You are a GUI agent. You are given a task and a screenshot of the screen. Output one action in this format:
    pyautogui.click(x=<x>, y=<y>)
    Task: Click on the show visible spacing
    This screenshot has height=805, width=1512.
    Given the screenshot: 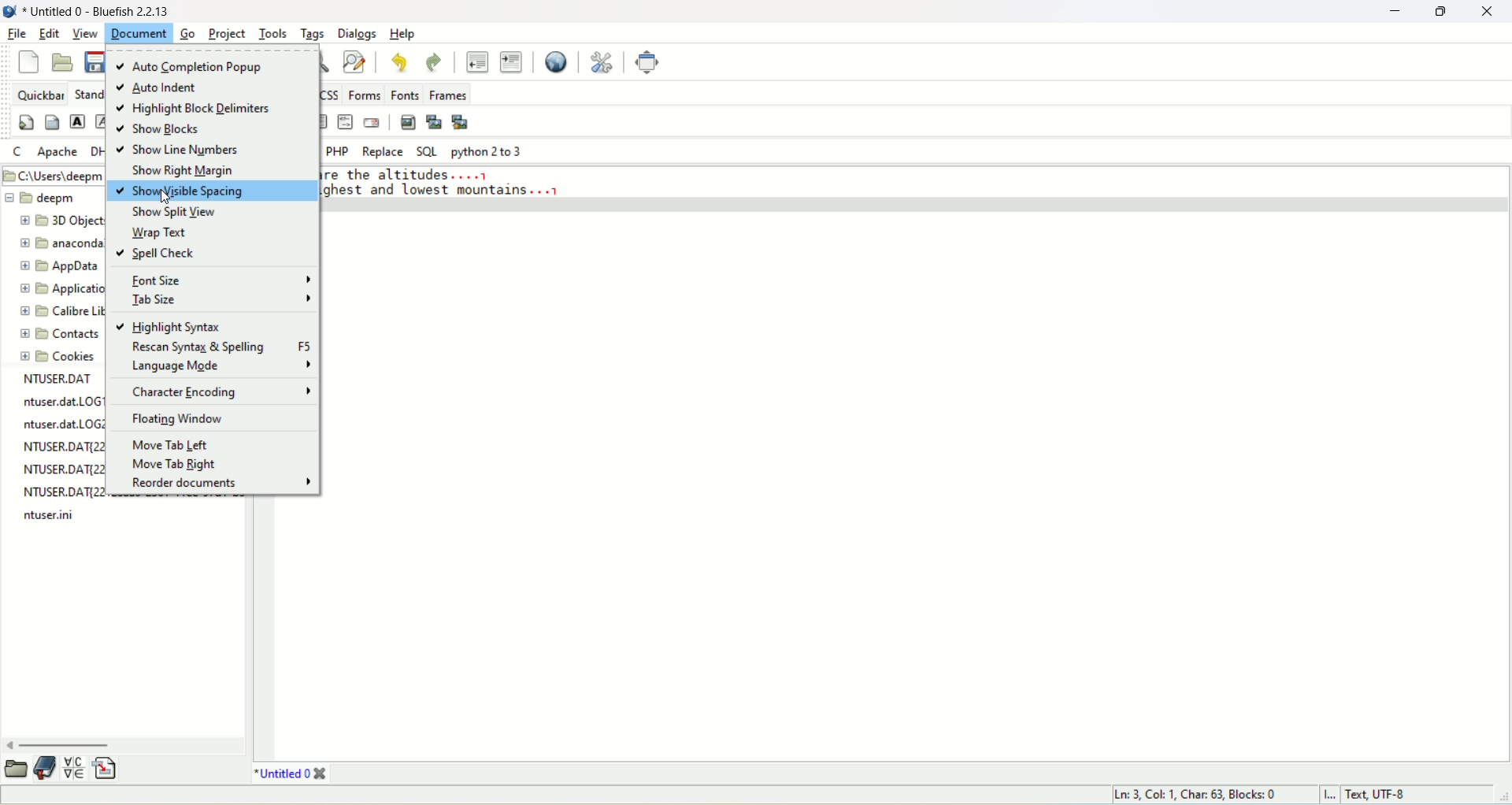 What is the action you would take?
    pyautogui.click(x=228, y=191)
    